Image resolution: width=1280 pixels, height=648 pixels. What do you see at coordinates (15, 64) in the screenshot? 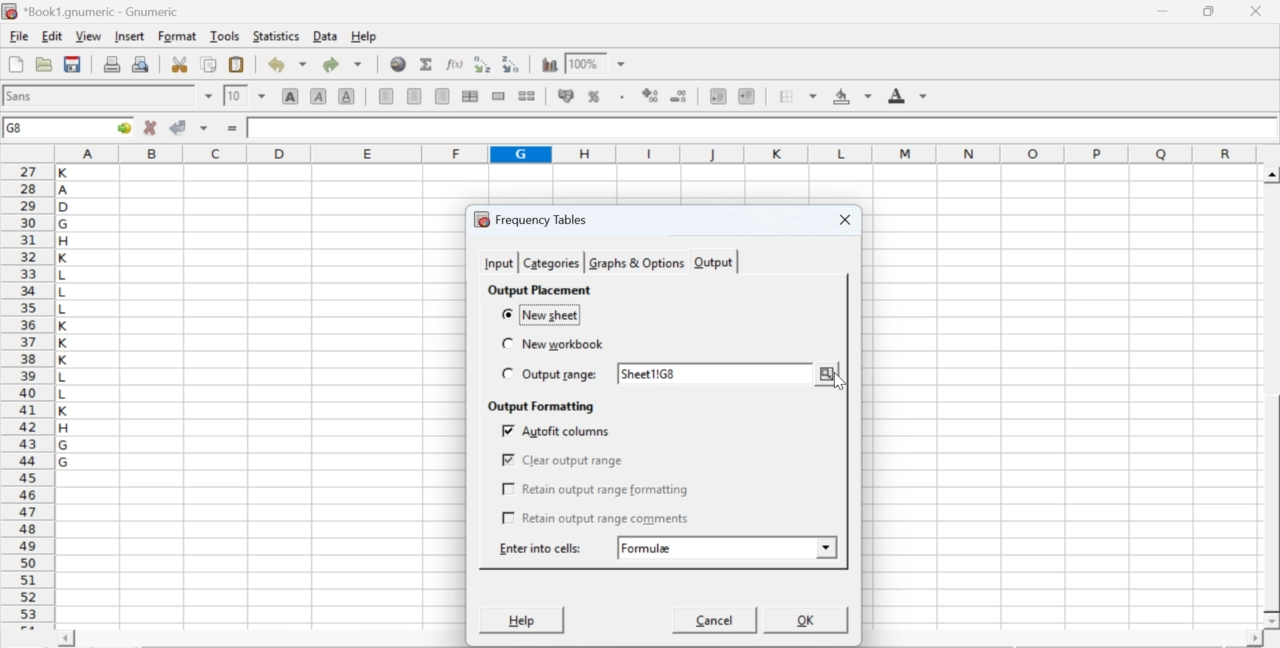
I see `new` at bounding box center [15, 64].